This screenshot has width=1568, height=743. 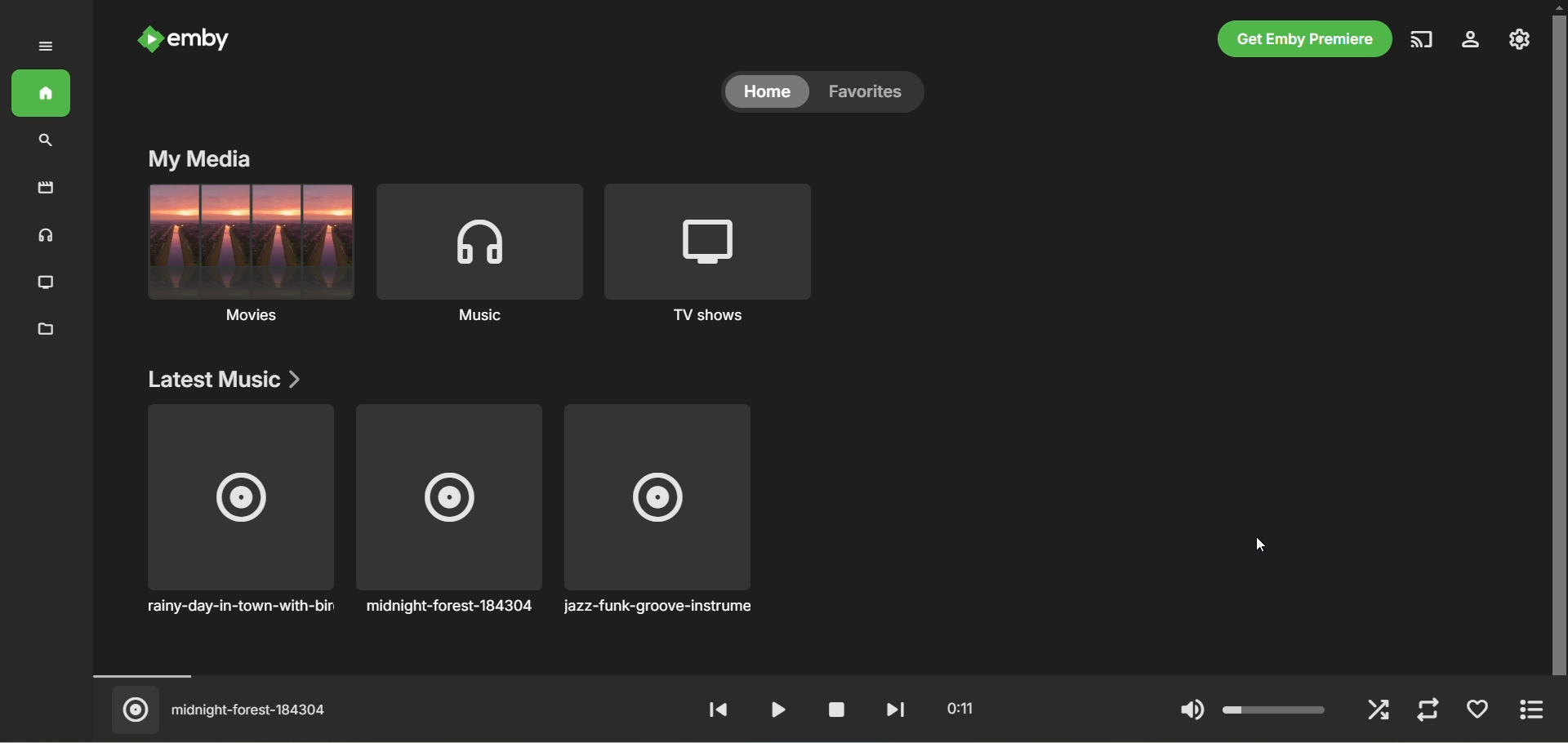 What do you see at coordinates (185, 42) in the screenshot?
I see `emby` at bounding box center [185, 42].